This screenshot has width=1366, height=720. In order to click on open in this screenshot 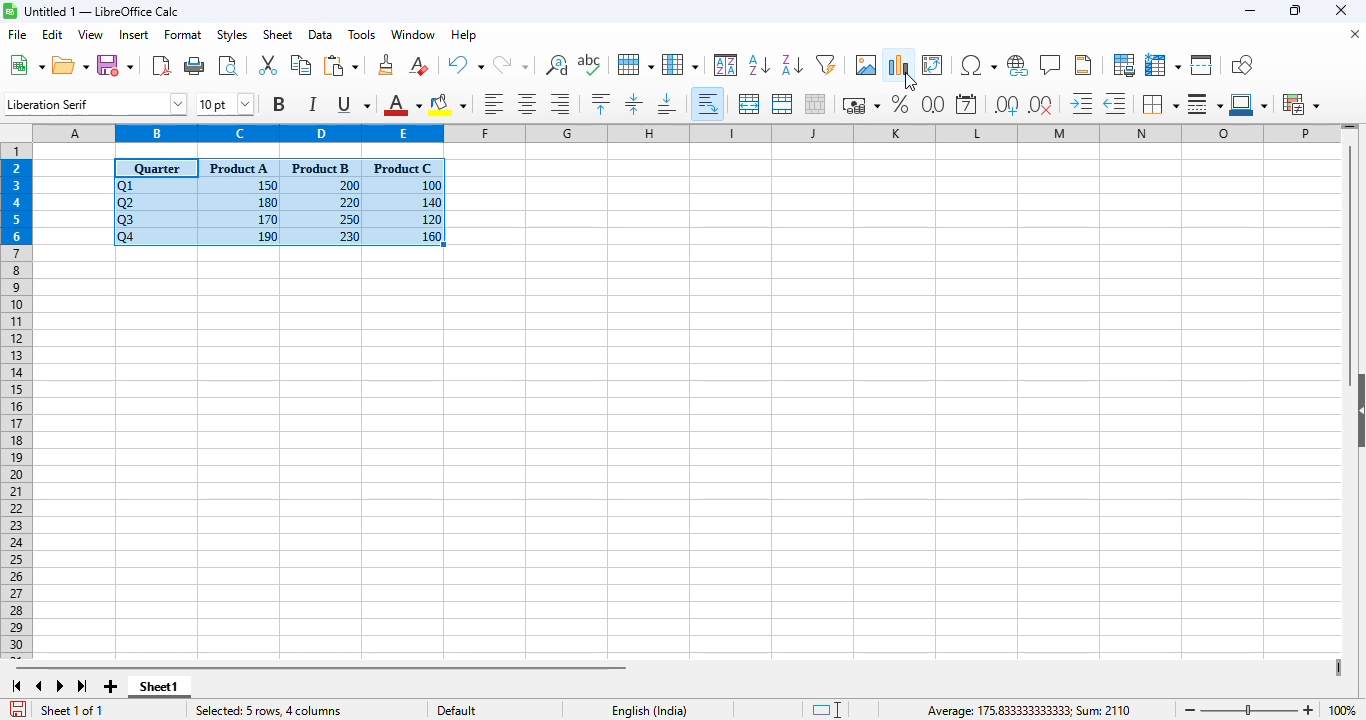, I will do `click(70, 65)`.